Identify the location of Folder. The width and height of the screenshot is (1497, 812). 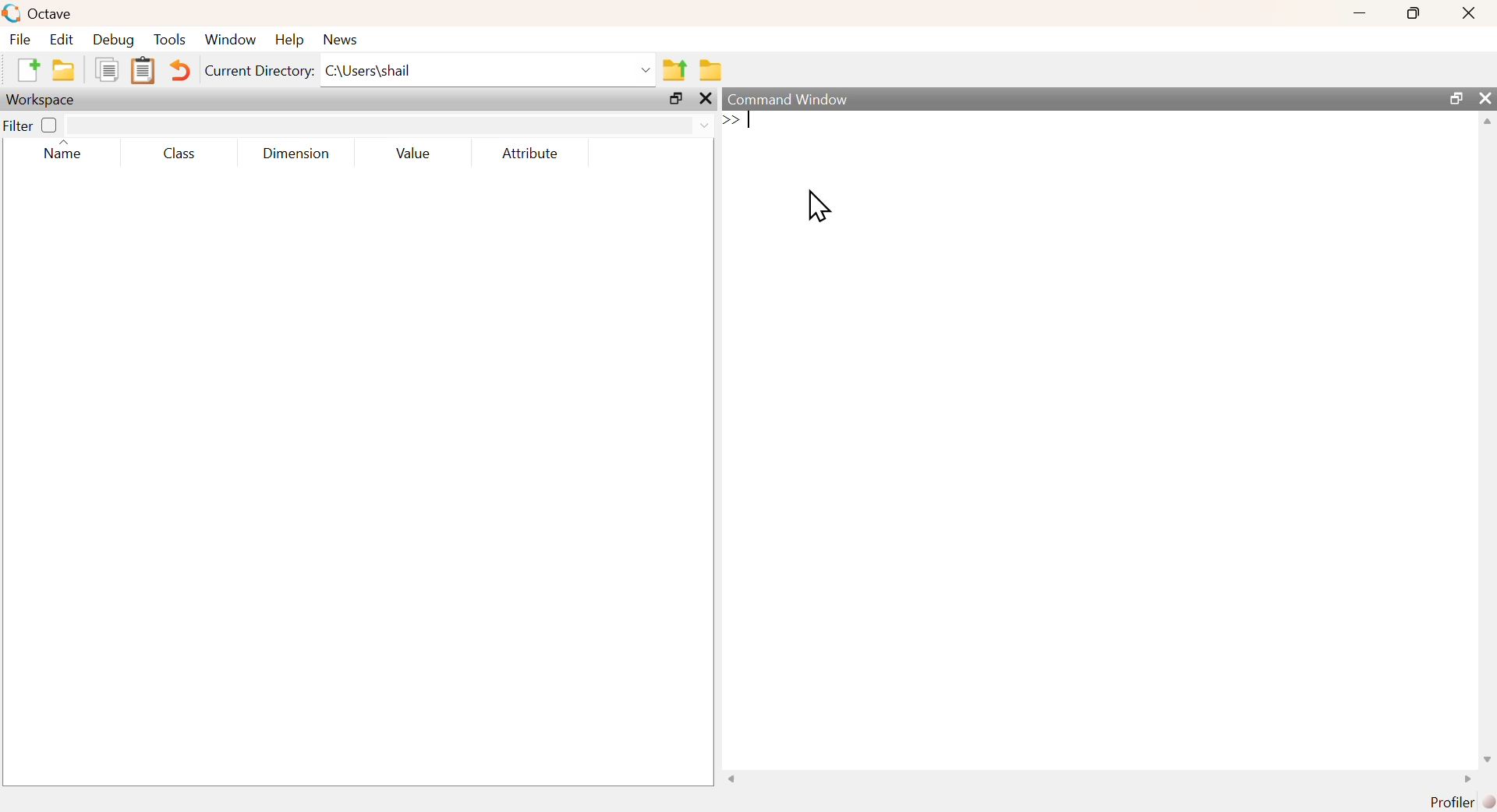
(708, 71).